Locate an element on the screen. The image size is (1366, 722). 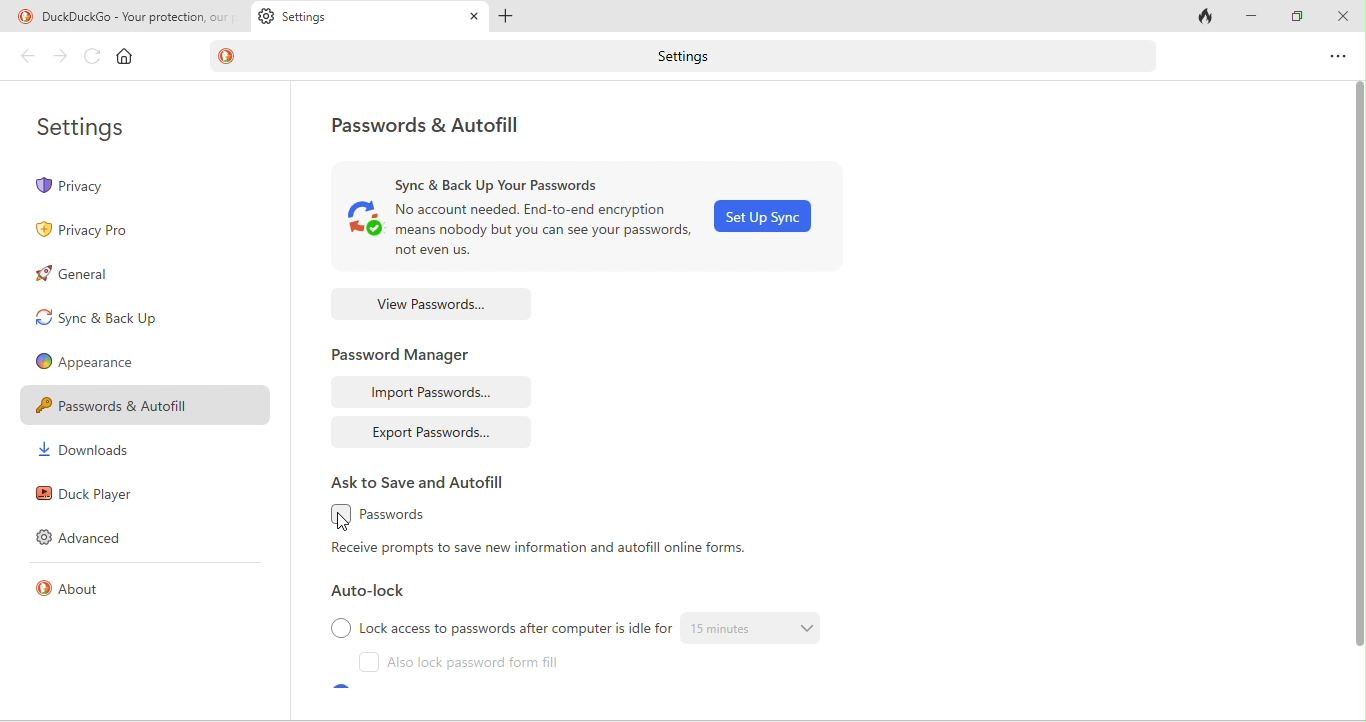
minimize is located at coordinates (1251, 15).